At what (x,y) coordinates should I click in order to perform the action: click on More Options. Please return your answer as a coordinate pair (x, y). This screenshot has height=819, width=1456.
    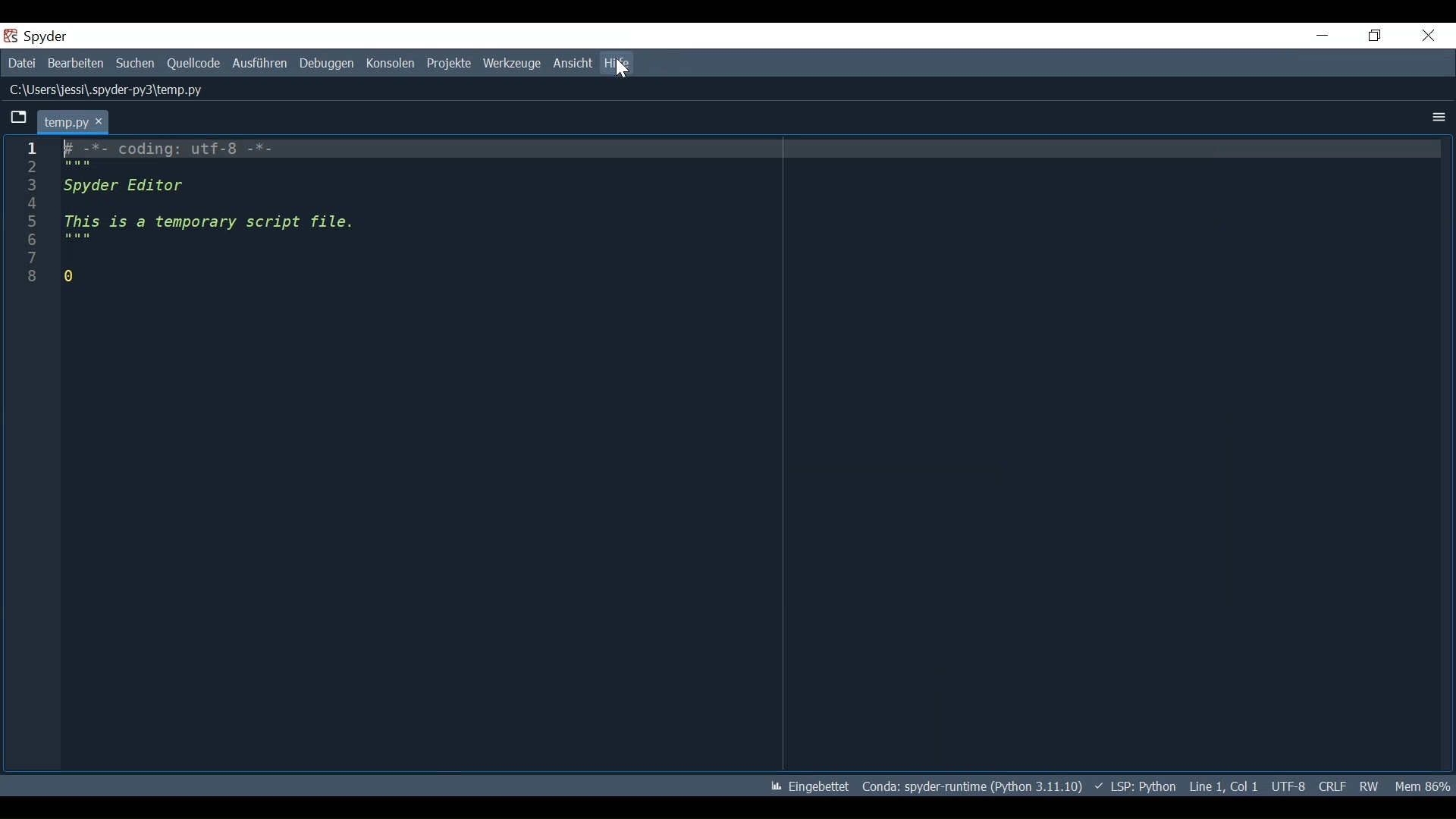
    Looking at the image, I should click on (1436, 118).